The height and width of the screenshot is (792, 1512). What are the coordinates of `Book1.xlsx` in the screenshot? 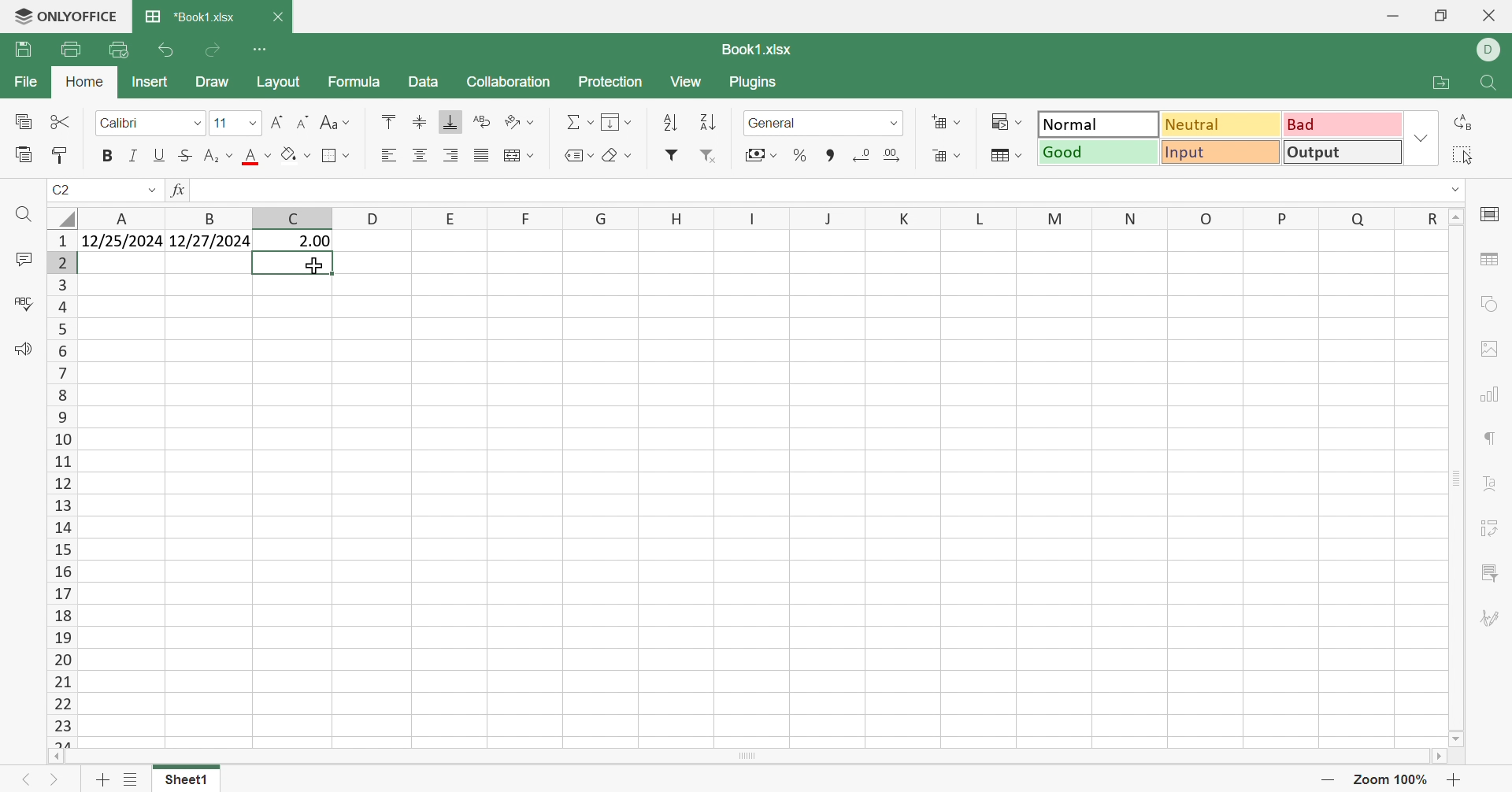 It's located at (757, 50).